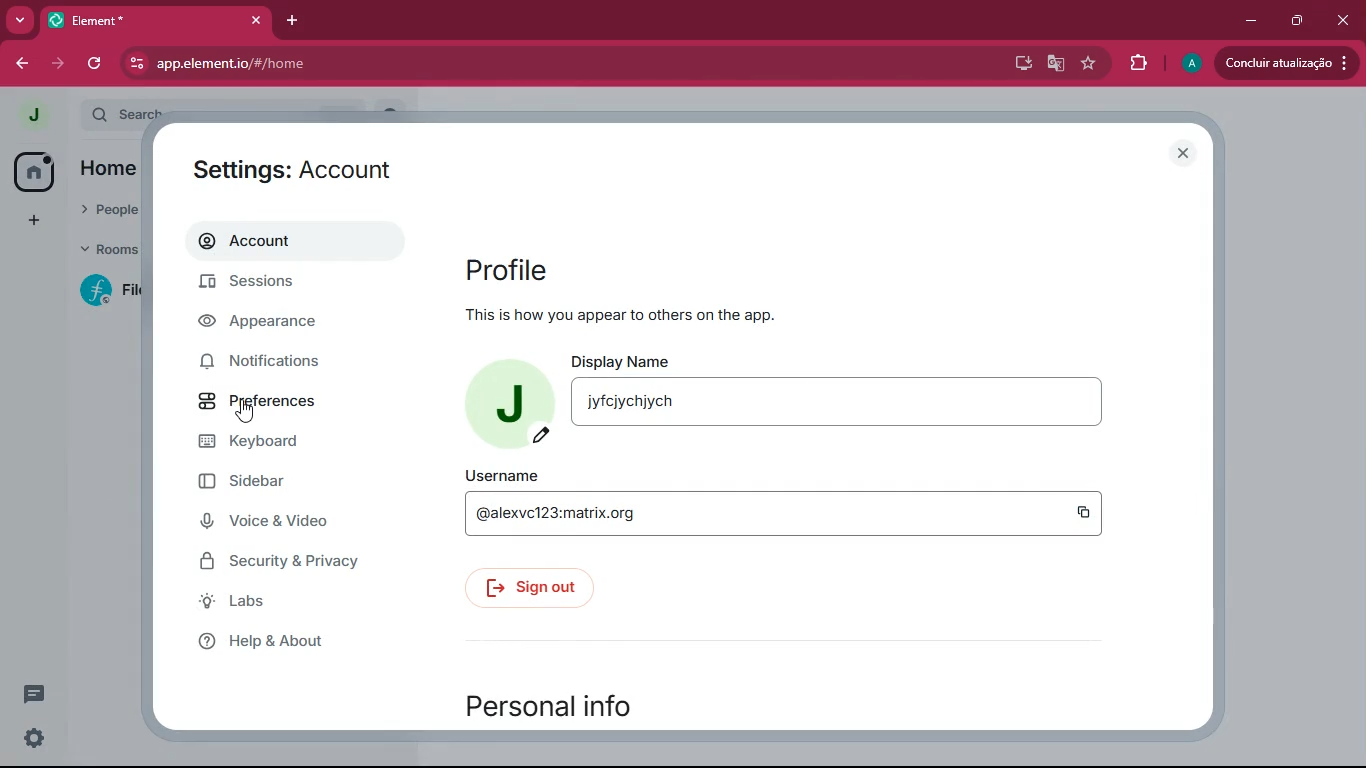  Describe the element at coordinates (1054, 64) in the screenshot. I see `google translate` at that location.